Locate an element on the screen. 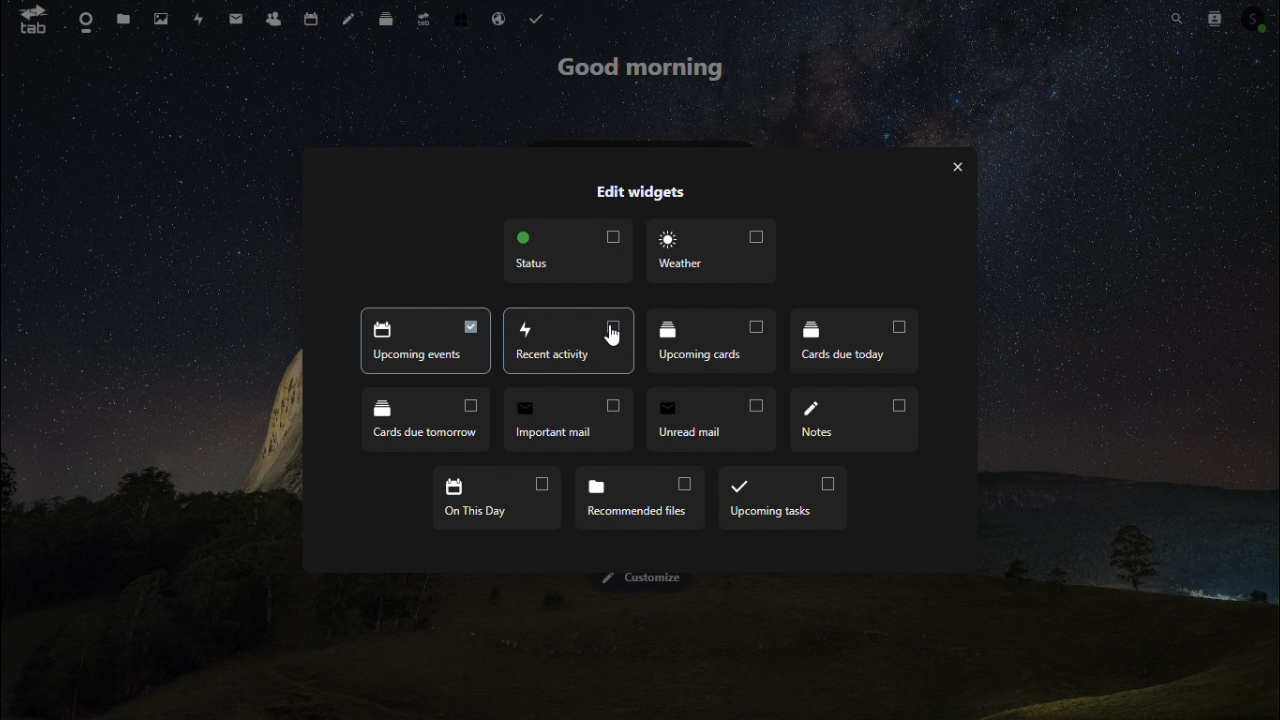  Notes is located at coordinates (853, 418).